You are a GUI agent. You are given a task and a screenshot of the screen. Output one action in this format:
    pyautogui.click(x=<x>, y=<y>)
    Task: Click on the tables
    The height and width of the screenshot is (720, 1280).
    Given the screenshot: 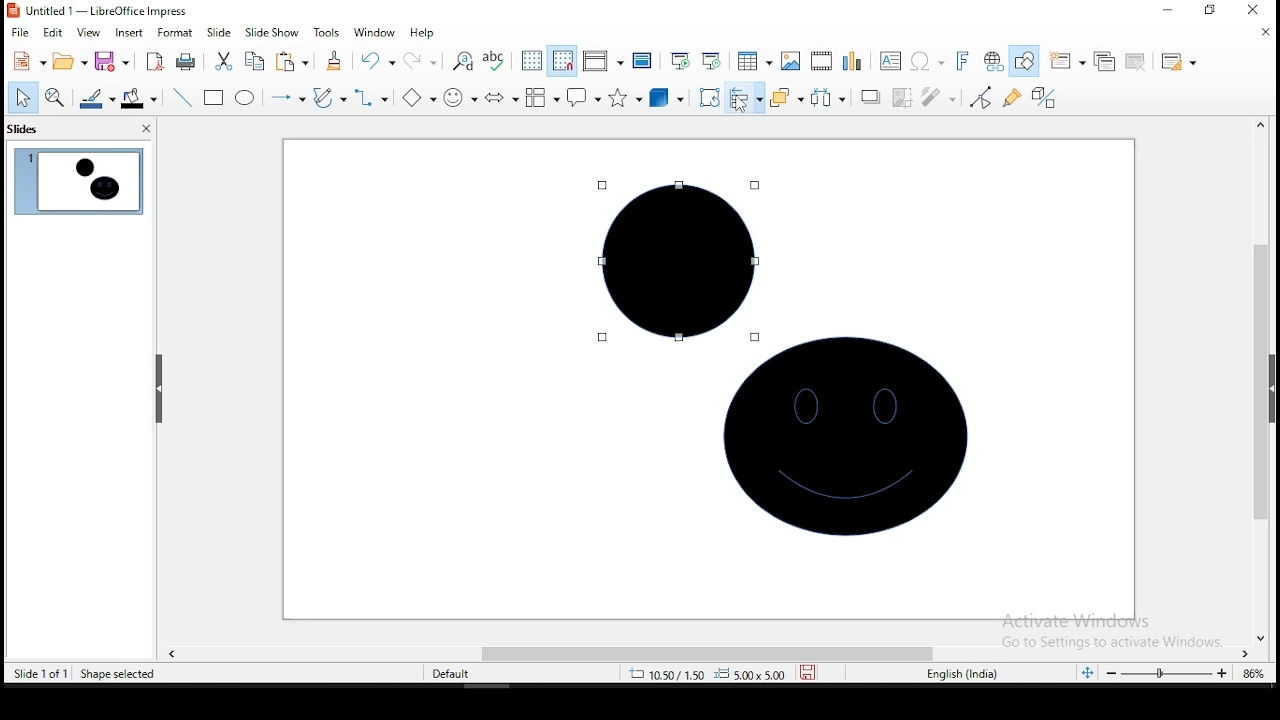 What is the action you would take?
    pyautogui.click(x=754, y=64)
    